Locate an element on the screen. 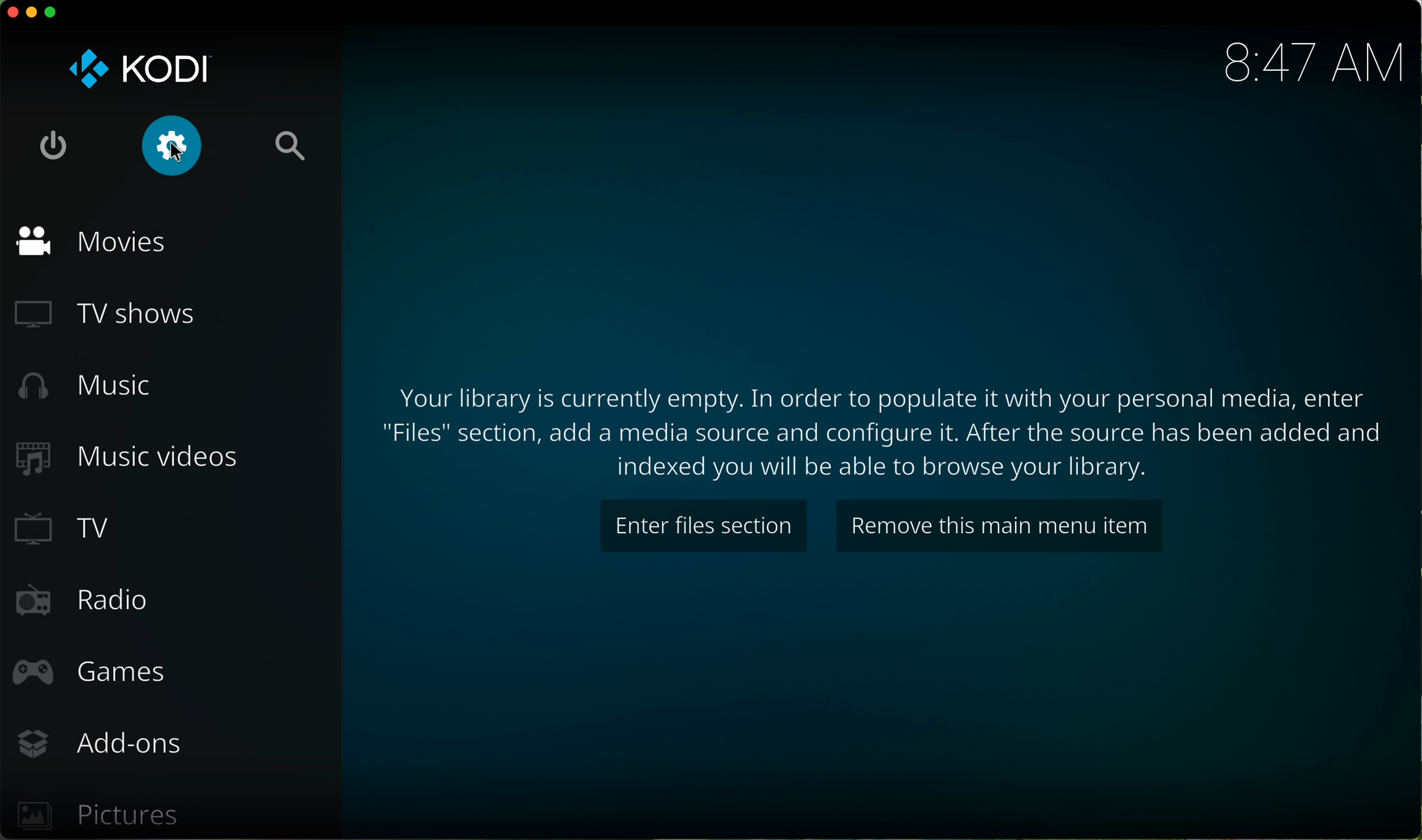 The height and width of the screenshot is (840, 1422). shut down is located at coordinates (56, 143).